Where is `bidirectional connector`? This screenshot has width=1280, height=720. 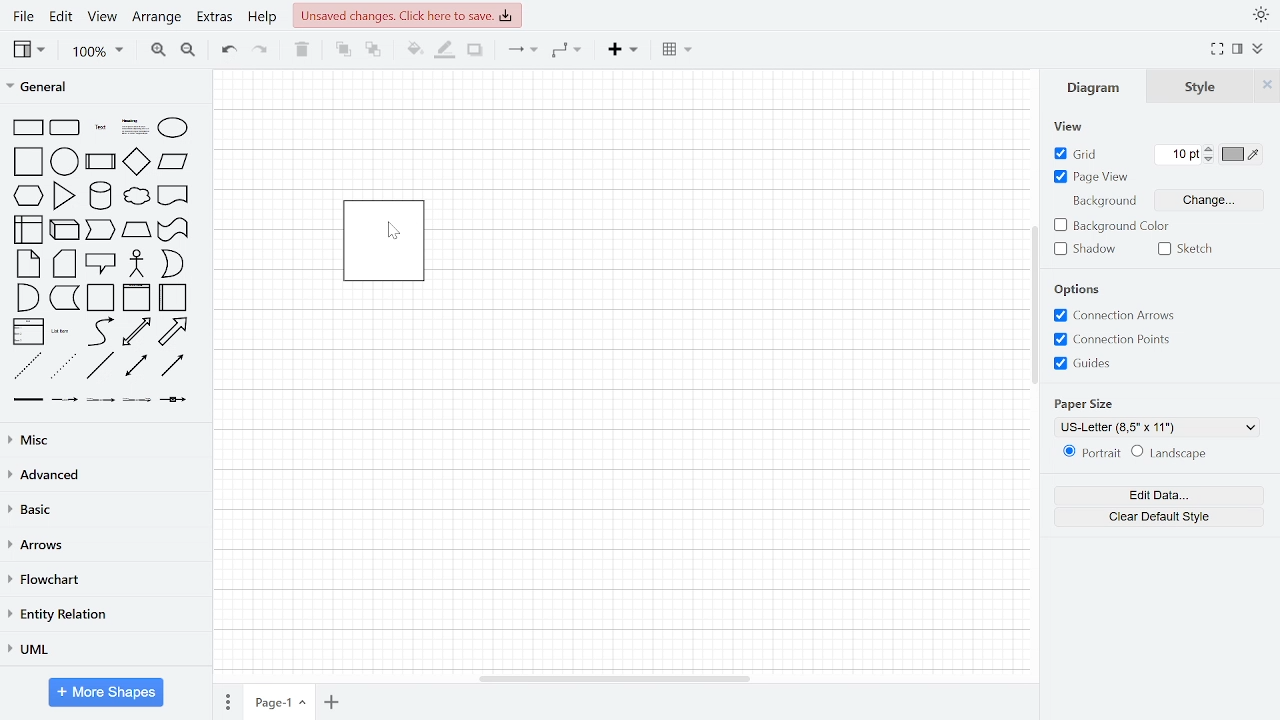
bidirectional connector is located at coordinates (137, 366).